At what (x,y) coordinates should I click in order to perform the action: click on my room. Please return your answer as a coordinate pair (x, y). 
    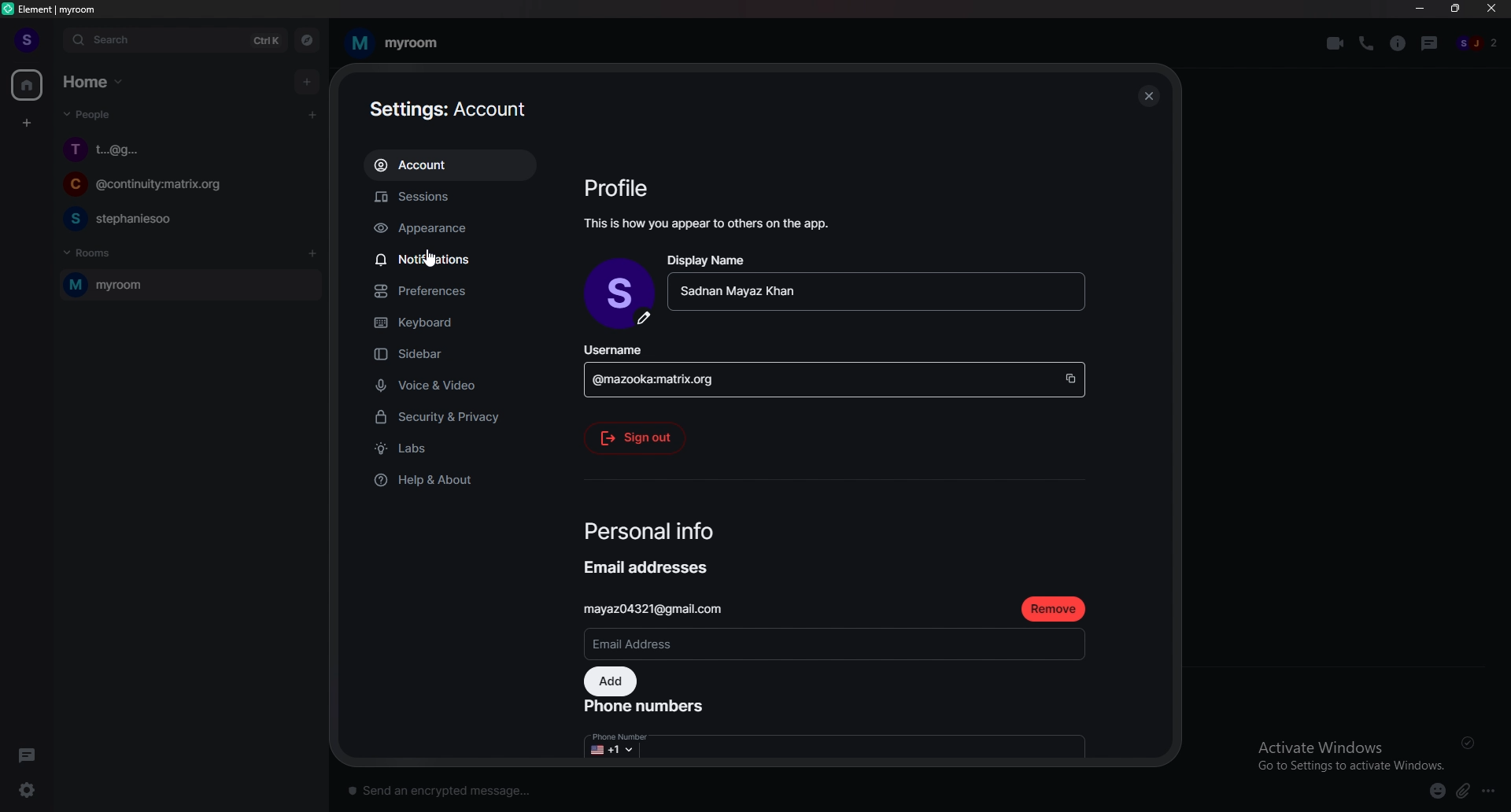
    Looking at the image, I should click on (397, 41).